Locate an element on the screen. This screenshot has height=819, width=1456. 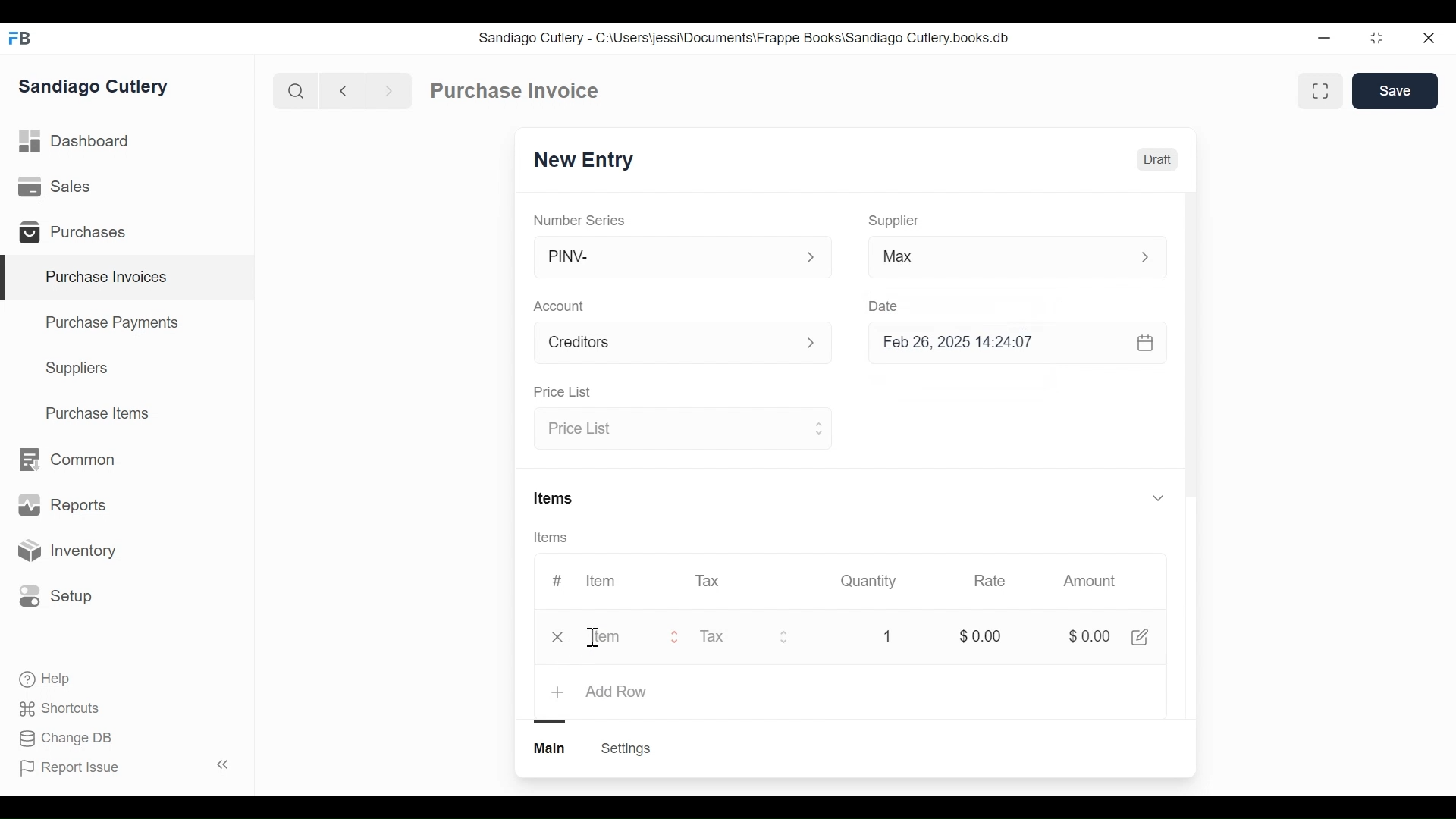
Price List is located at coordinates (561, 393).